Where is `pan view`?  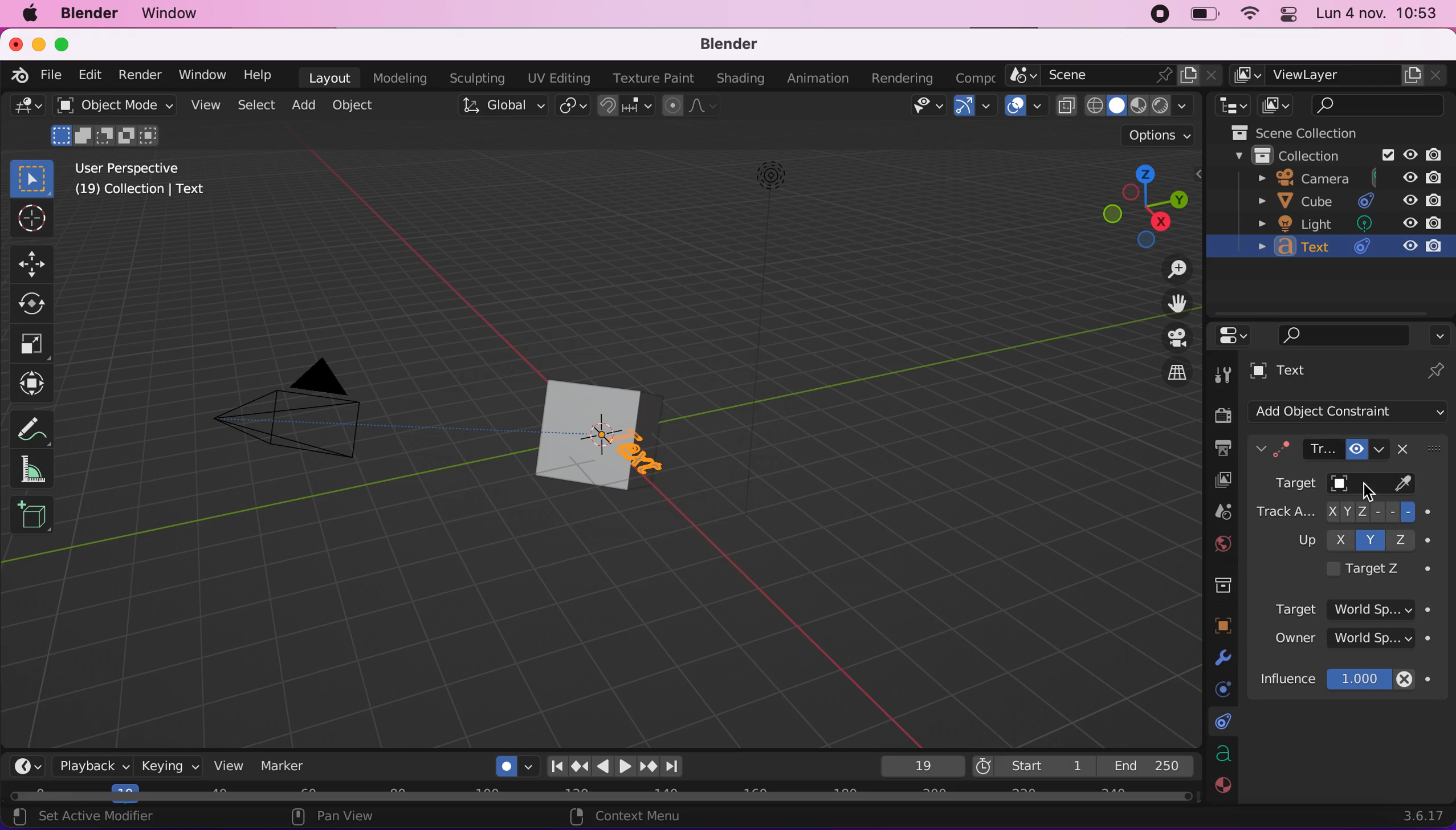
pan view is located at coordinates (378, 819).